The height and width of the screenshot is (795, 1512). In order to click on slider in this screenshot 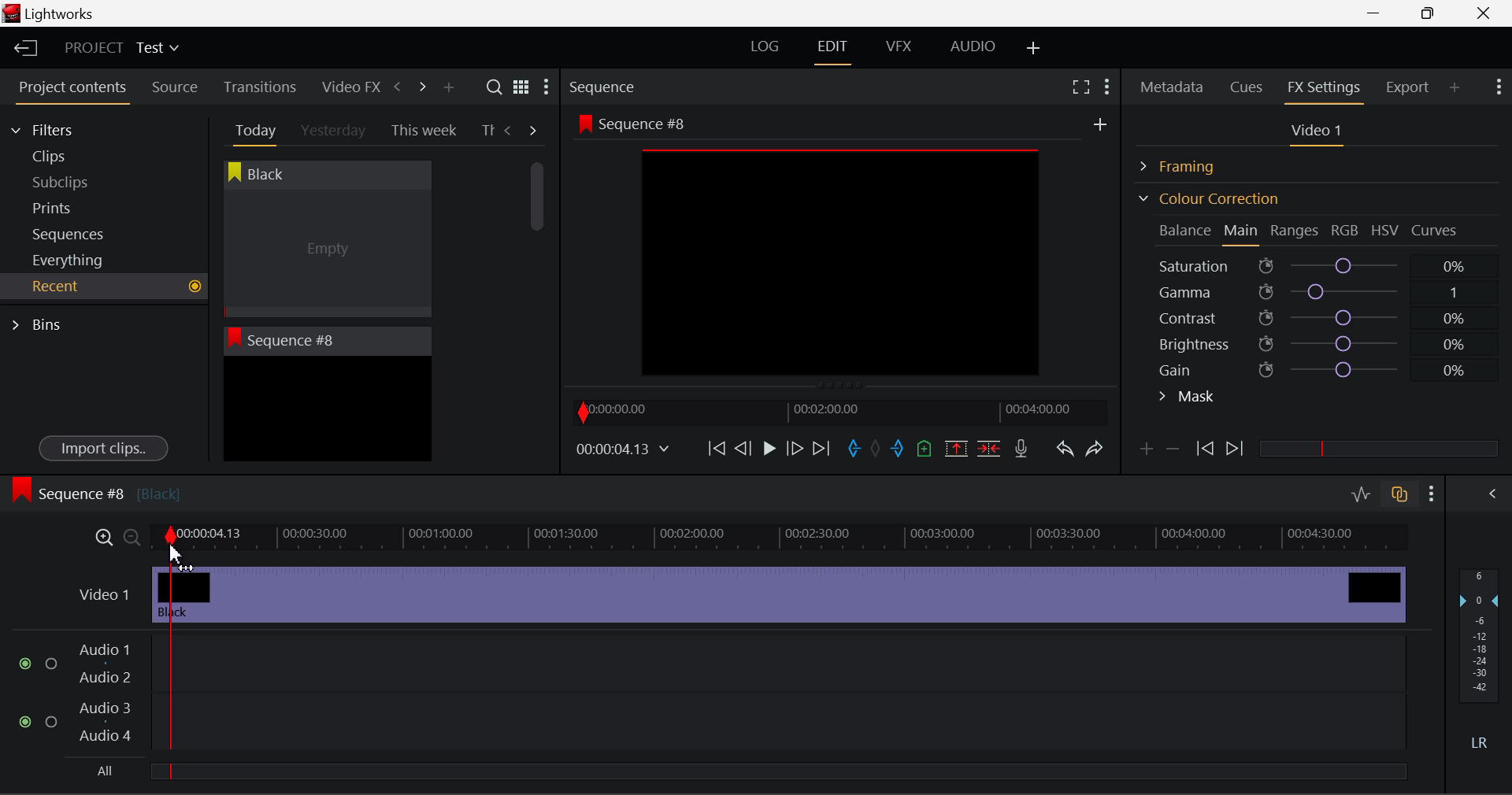, I will do `click(1378, 448)`.